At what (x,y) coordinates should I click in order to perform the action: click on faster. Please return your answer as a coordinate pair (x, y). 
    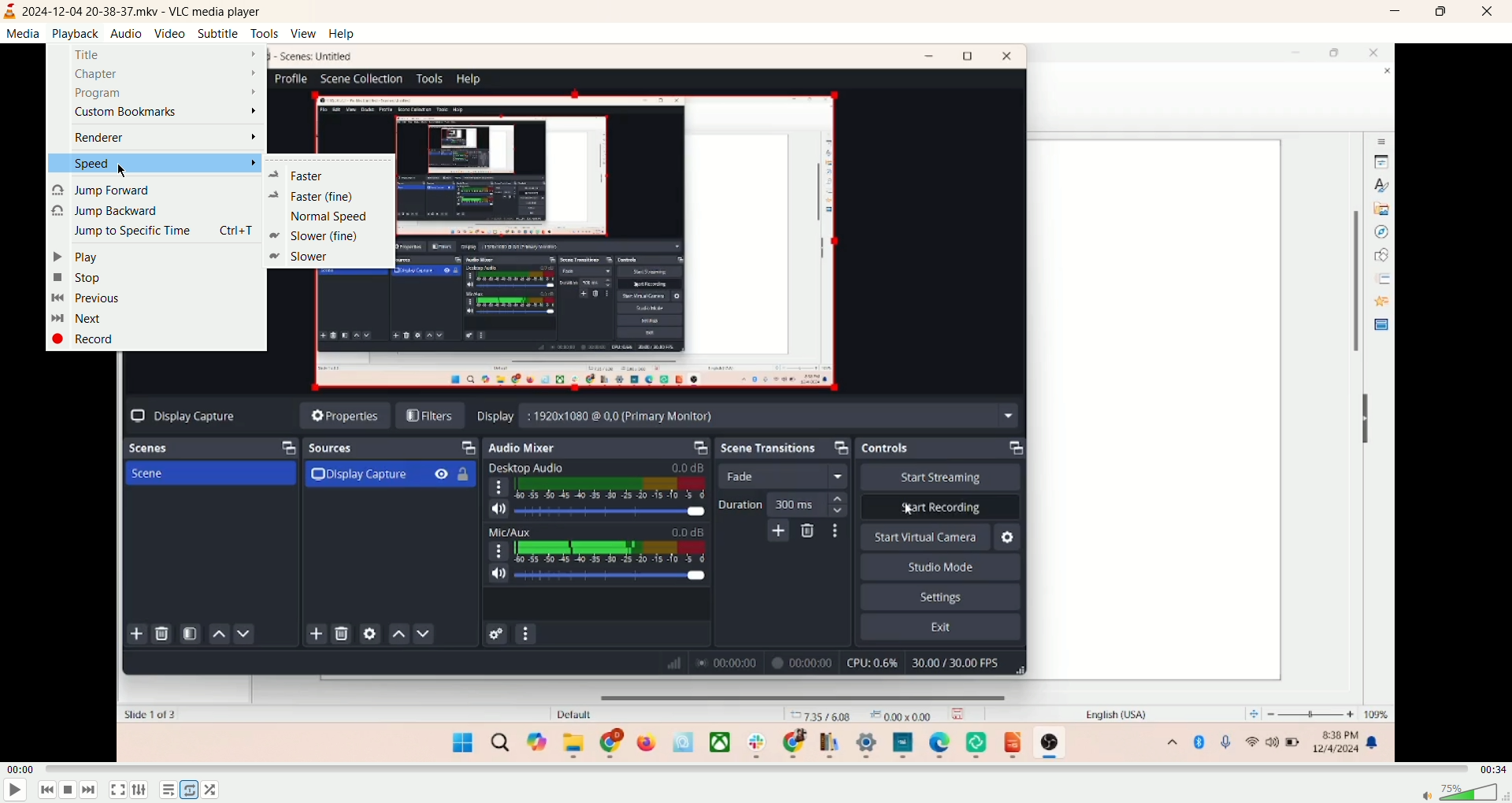
    Looking at the image, I should click on (318, 196).